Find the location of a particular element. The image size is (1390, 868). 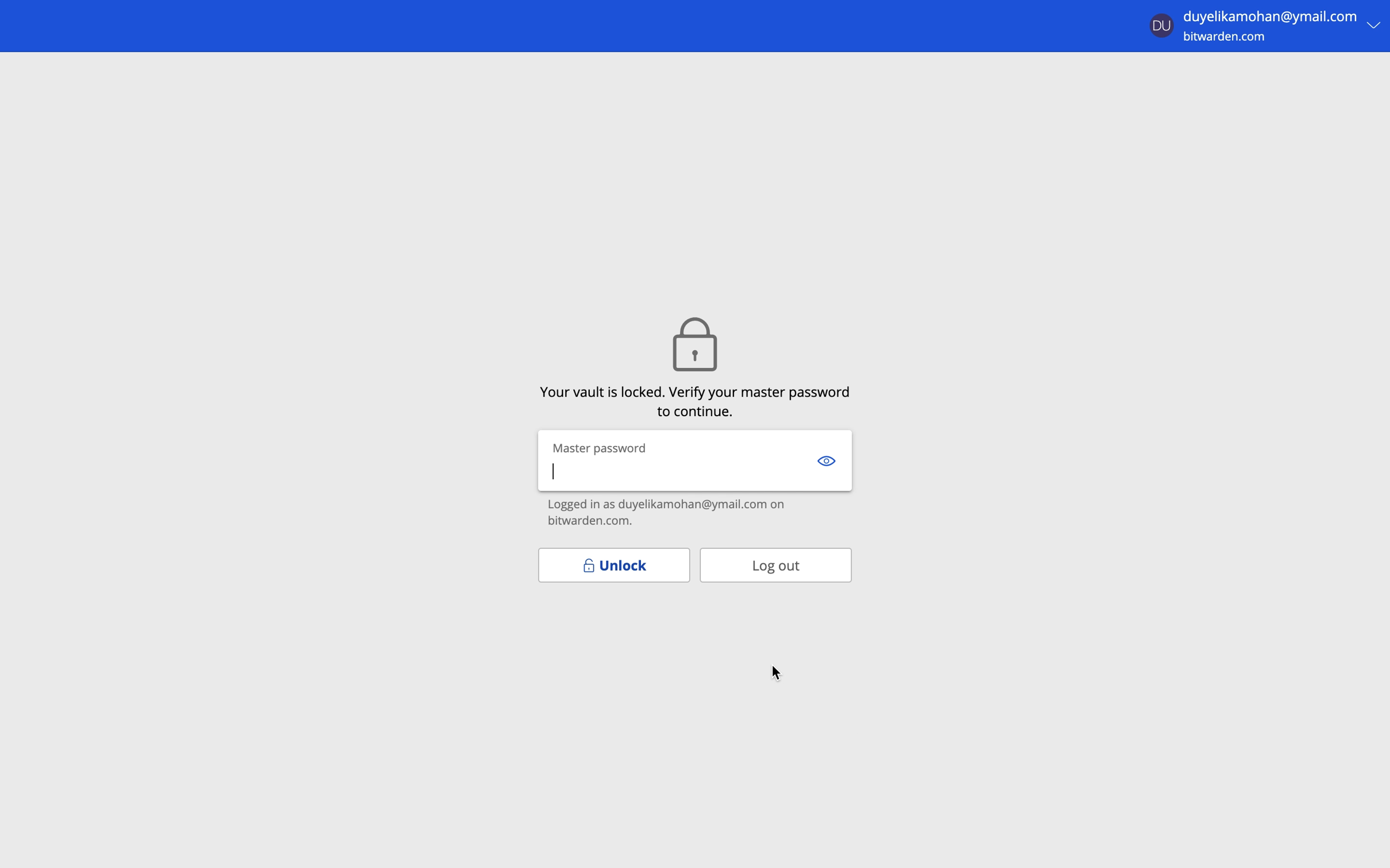

logged in as is located at coordinates (697, 514).